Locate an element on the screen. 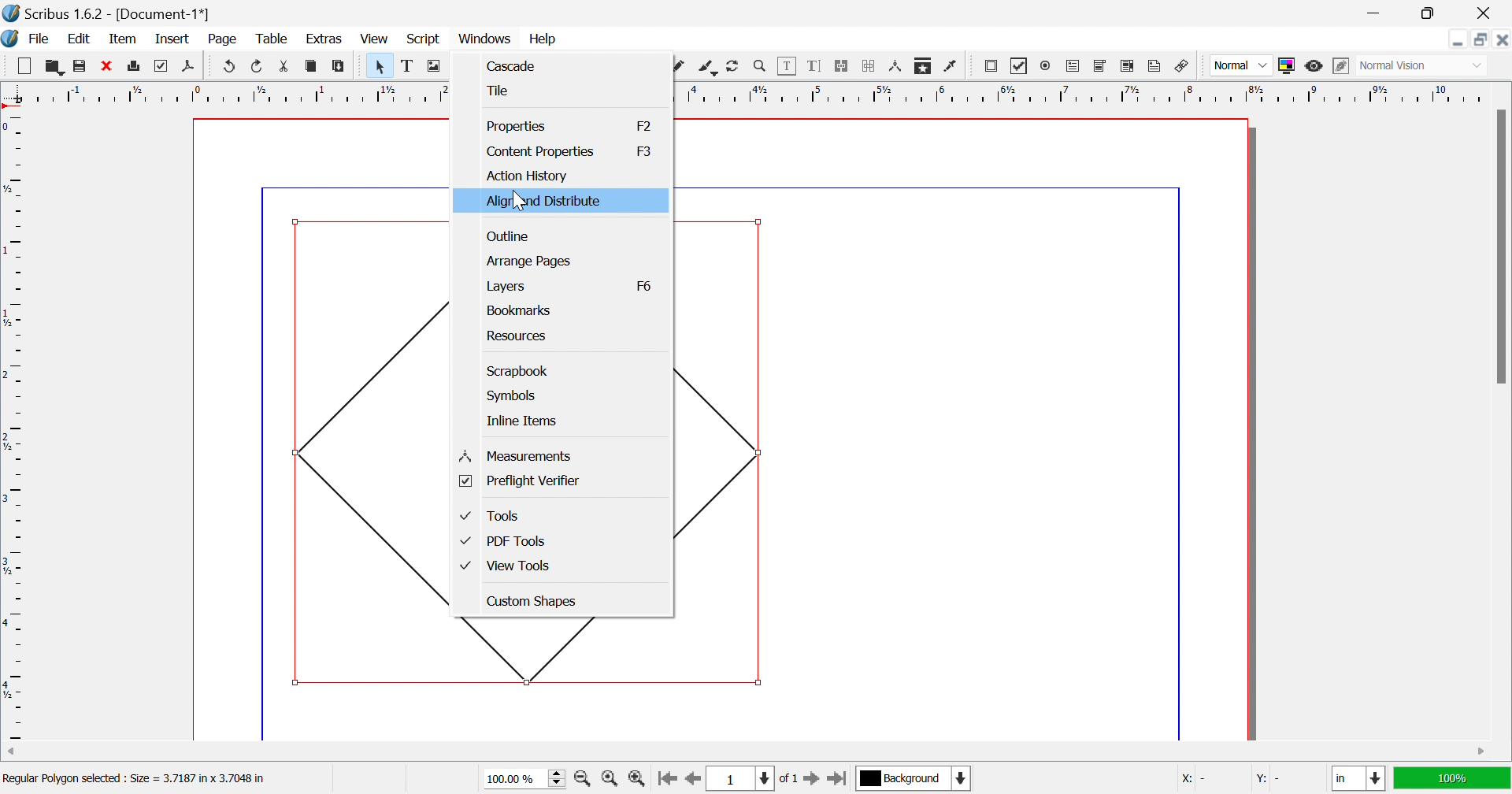 Image resolution: width=1512 pixels, height=794 pixels. Print is located at coordinates (135, 66).